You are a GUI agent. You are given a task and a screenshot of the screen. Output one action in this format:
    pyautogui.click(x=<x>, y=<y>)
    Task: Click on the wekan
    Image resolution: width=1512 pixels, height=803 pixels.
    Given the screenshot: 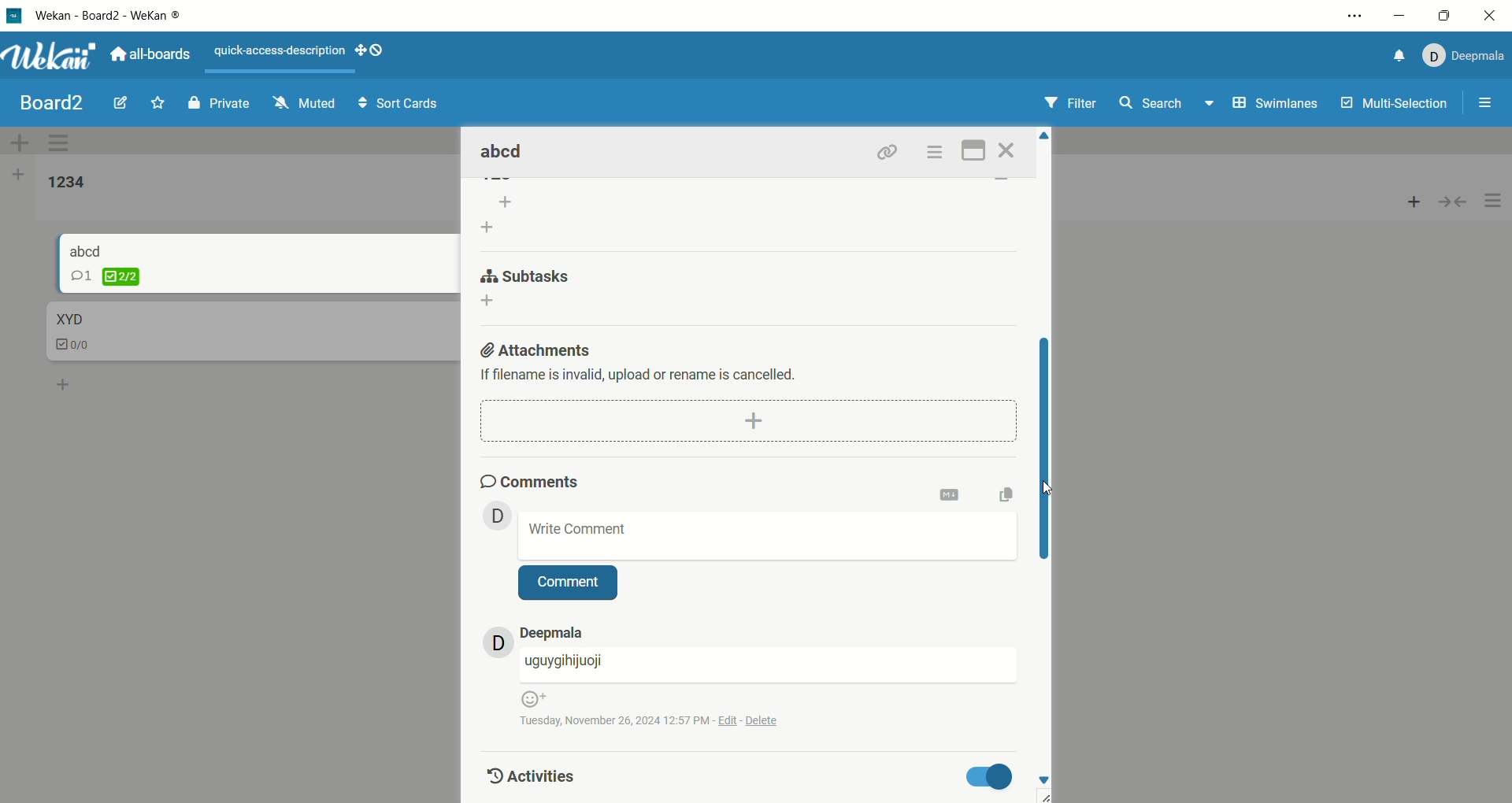 What is the action you would take?
    pyautogui.click(x=50, y=58)
    